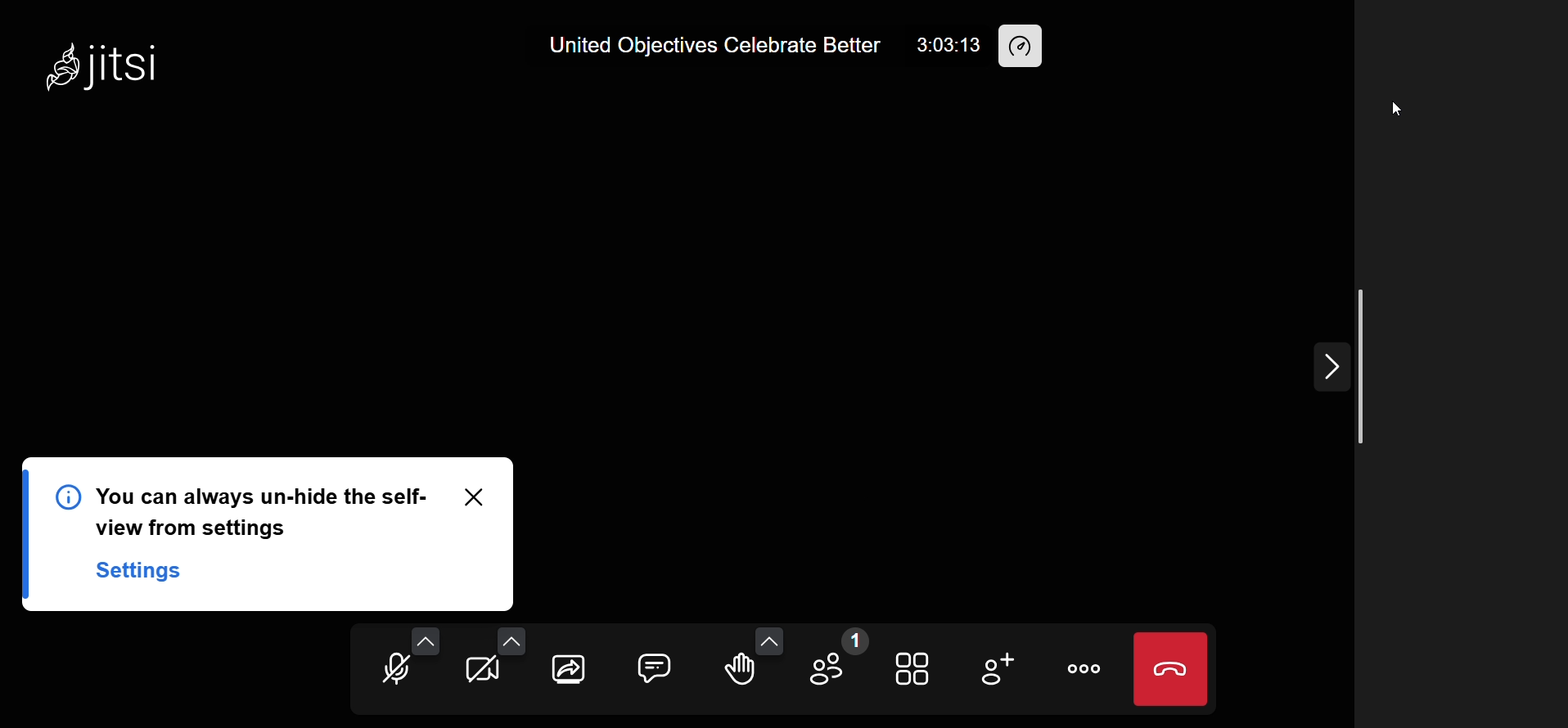  I want to click on United Objectives Celebrate Better, so click(710, 45).